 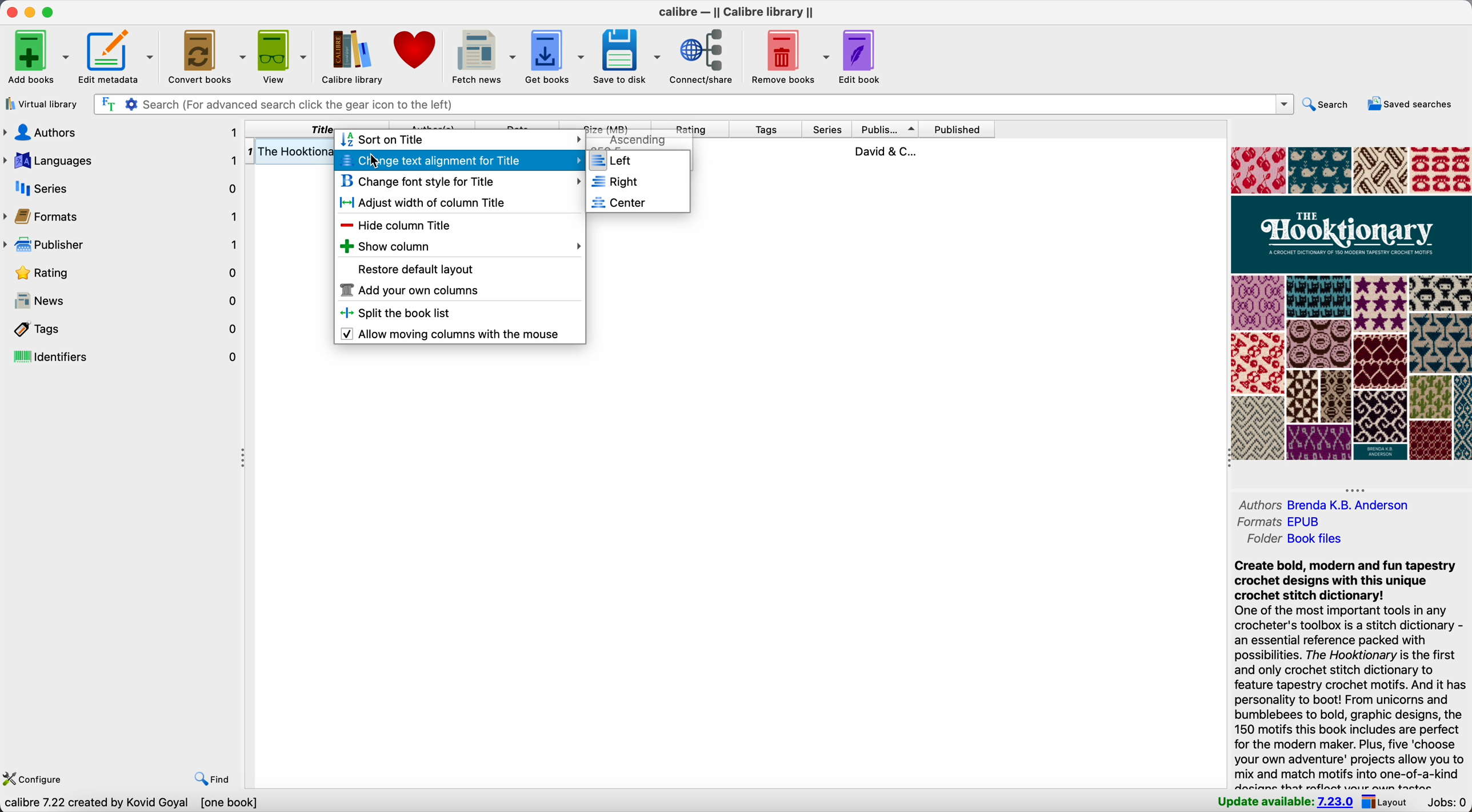 What do you see at coordinates (417, 268) in the screenshot?
I see `restore default layout` at bounding box center [417, 268].